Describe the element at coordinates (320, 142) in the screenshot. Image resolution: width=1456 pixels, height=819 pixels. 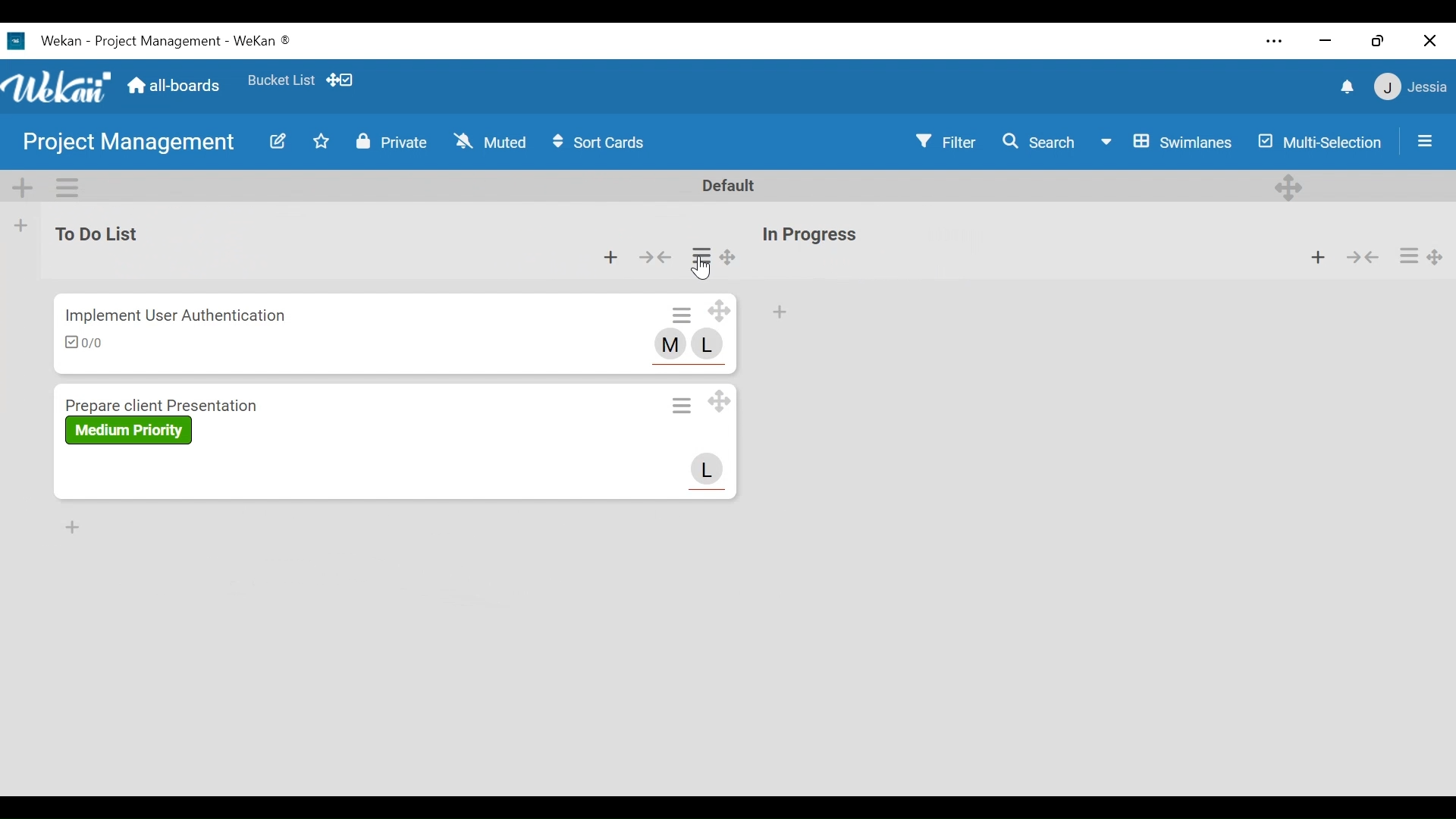
I see `Toggle favorites` at that location.